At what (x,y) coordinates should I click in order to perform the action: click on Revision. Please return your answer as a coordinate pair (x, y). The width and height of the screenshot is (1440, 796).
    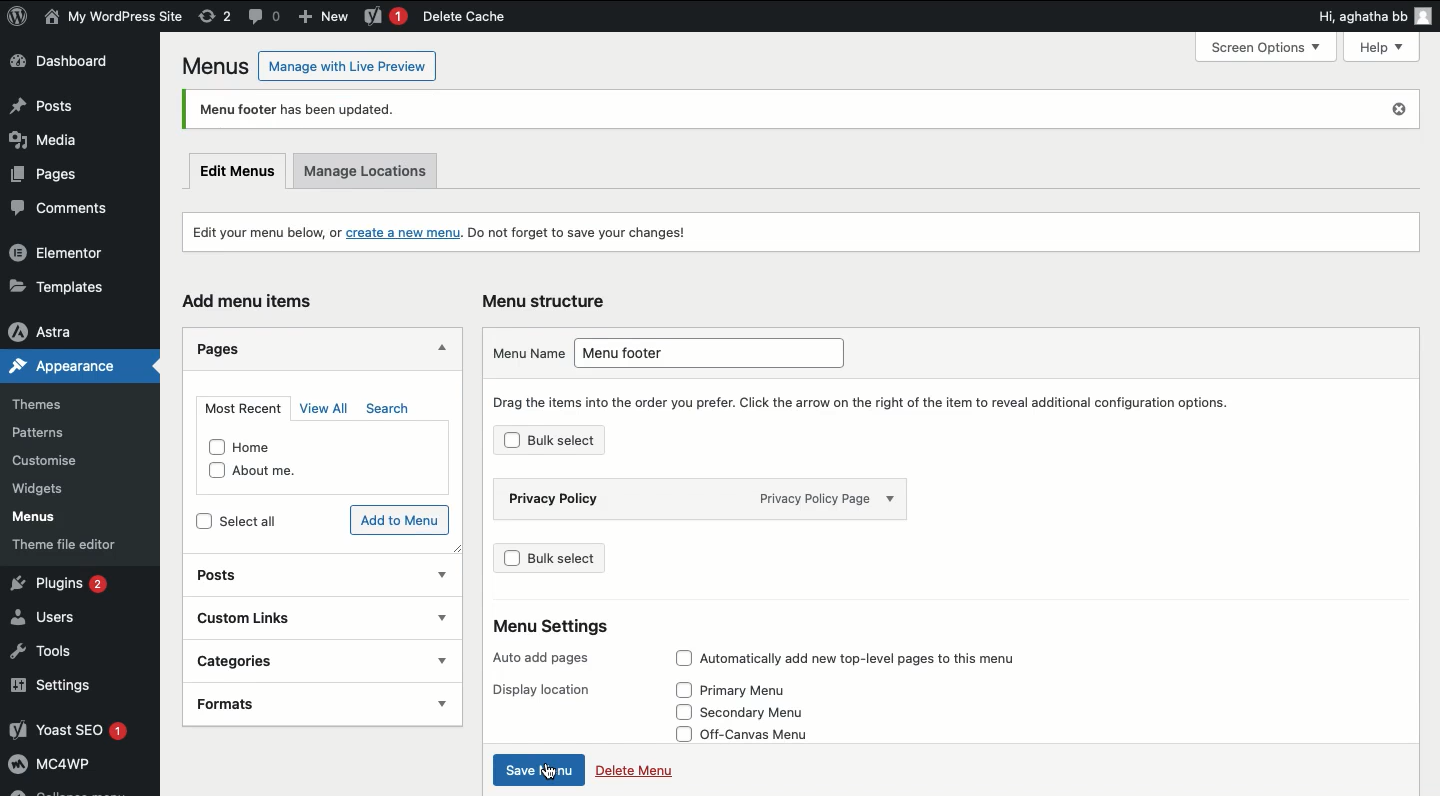
    Looking at the image, I should click on (215, 17).